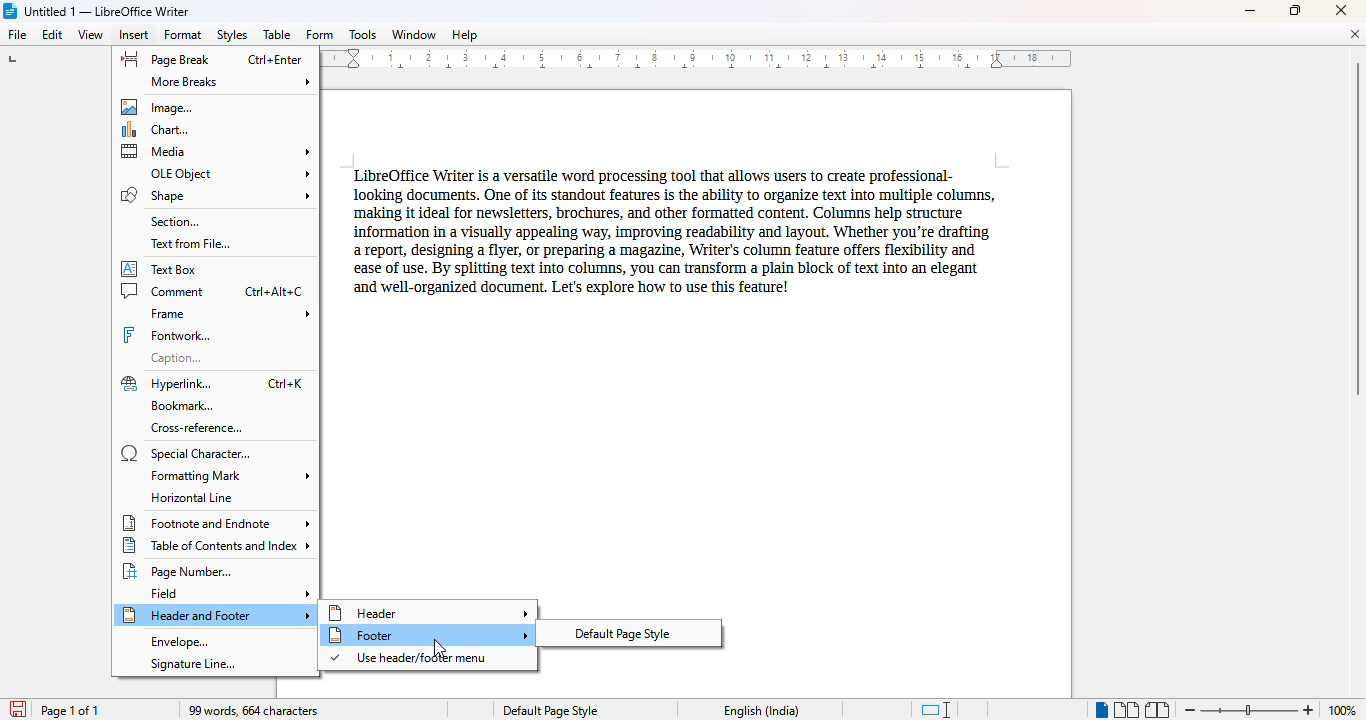 This screenshot has width=1366, height=720. I want to click on chart, so click(161, 129).